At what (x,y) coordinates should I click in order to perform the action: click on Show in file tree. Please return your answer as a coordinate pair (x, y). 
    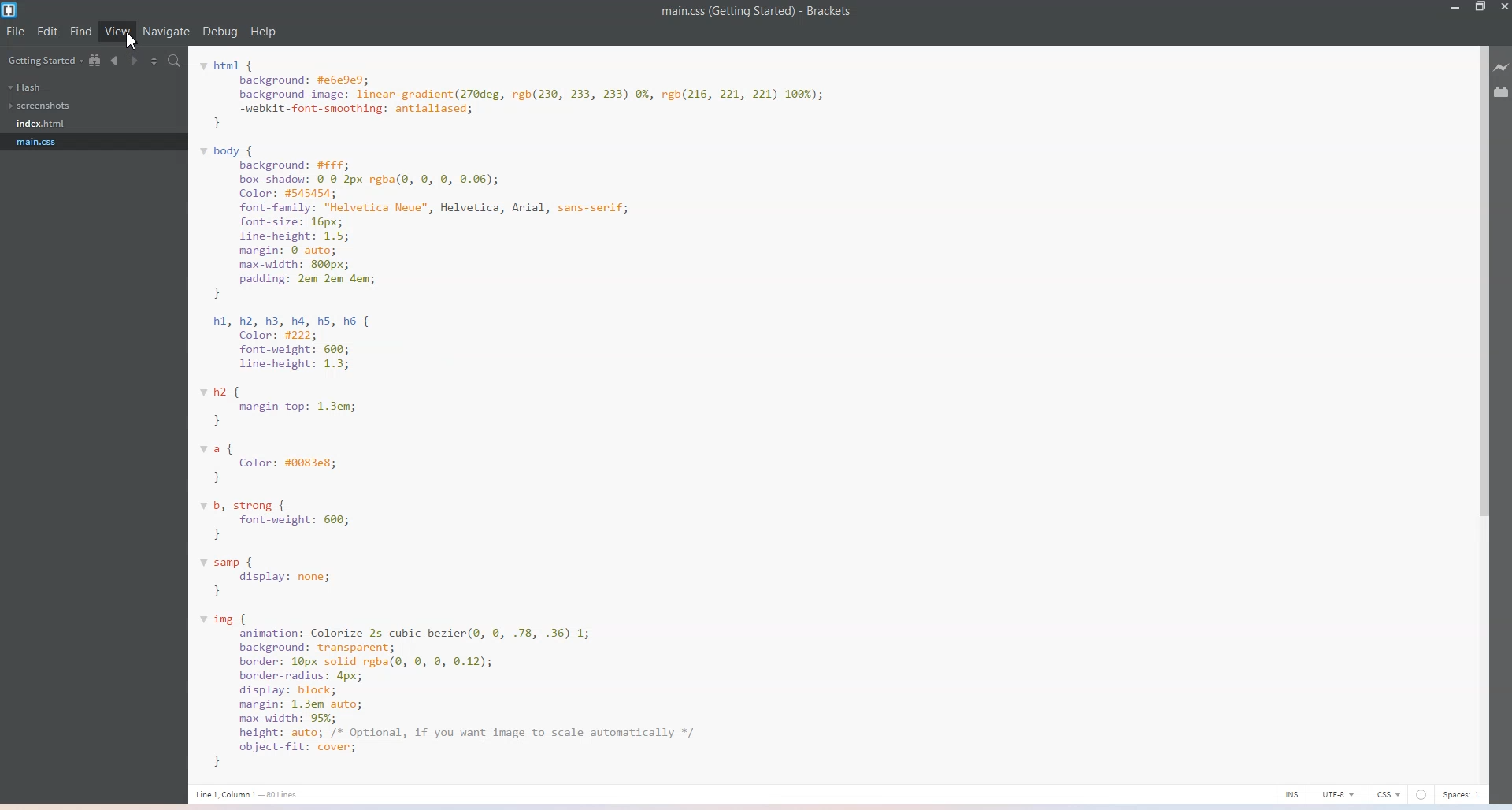
    Looking at the image, I should click on (95, 61).